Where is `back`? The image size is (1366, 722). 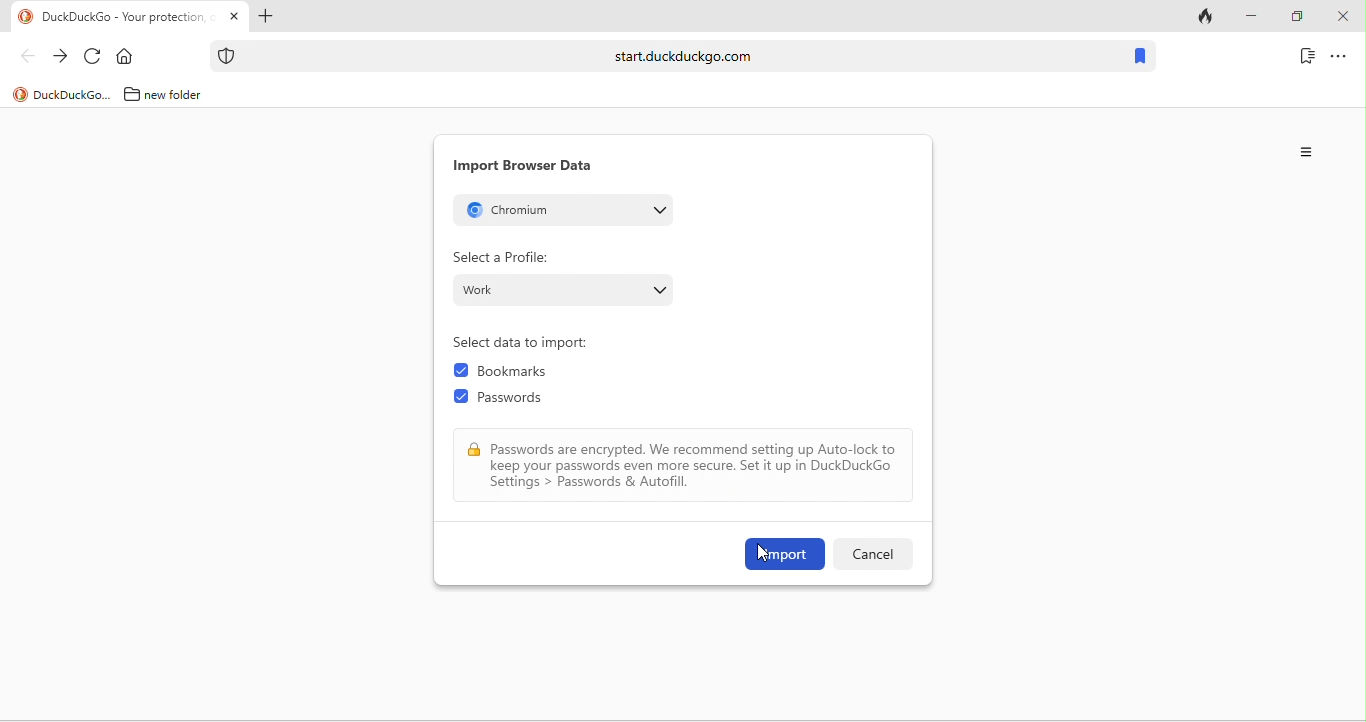 back is located at coordinates (27, 55).